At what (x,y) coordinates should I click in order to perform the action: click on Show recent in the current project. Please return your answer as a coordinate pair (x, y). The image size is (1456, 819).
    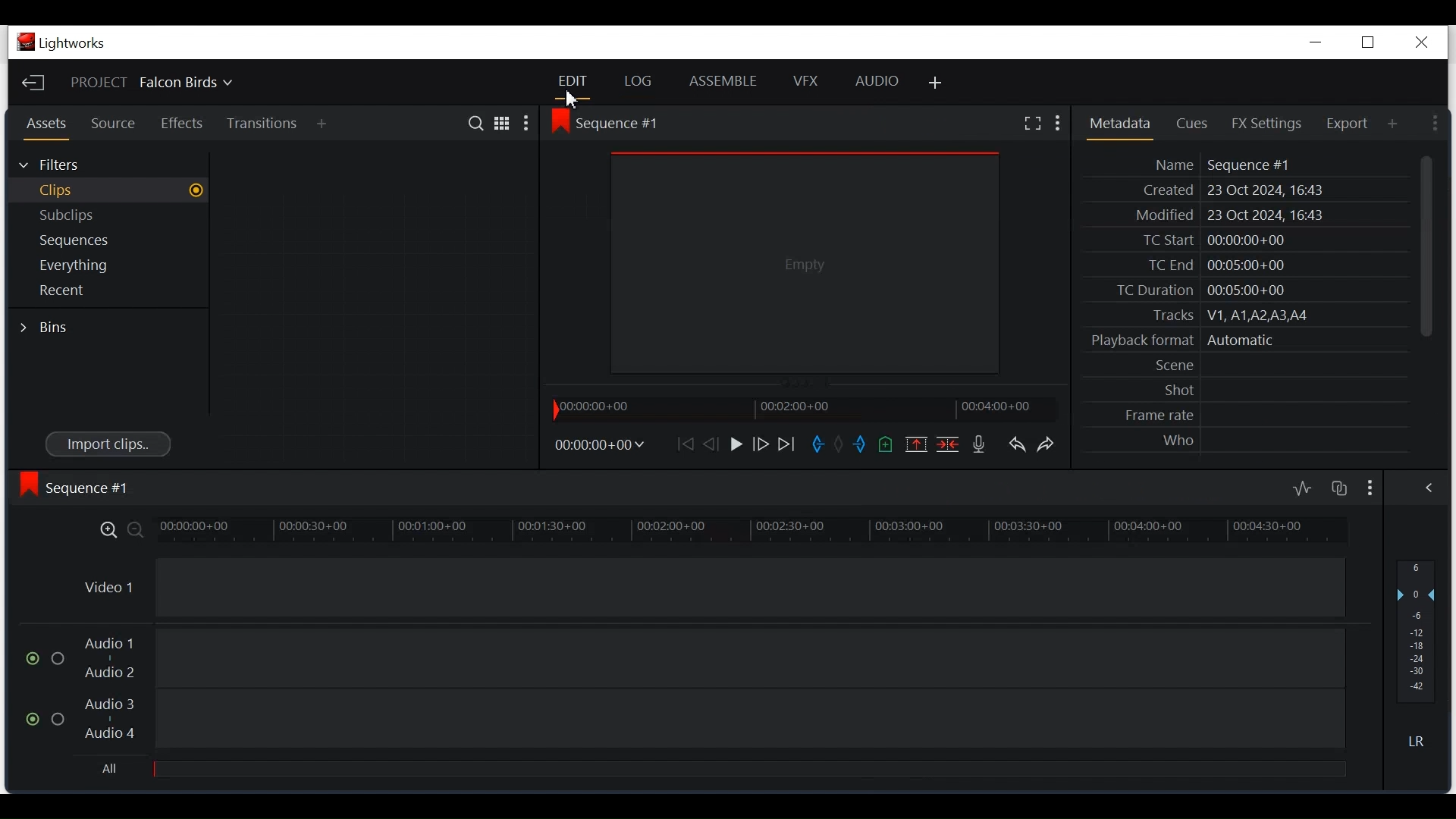
    Looking at the image, I should click on (108, 293).